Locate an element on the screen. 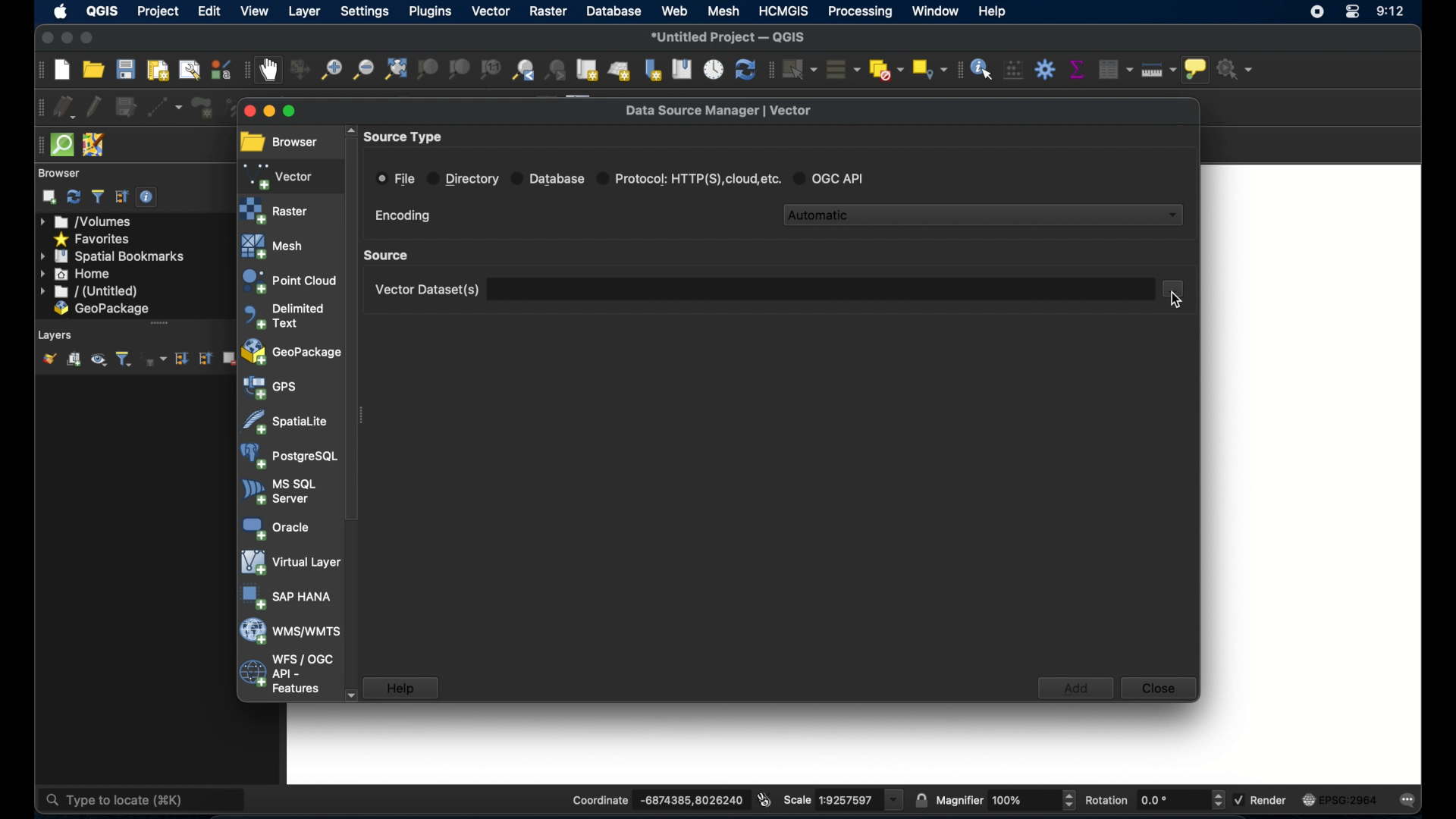 The image size is (1456, 819). browser is located at coordinates (279, 143).